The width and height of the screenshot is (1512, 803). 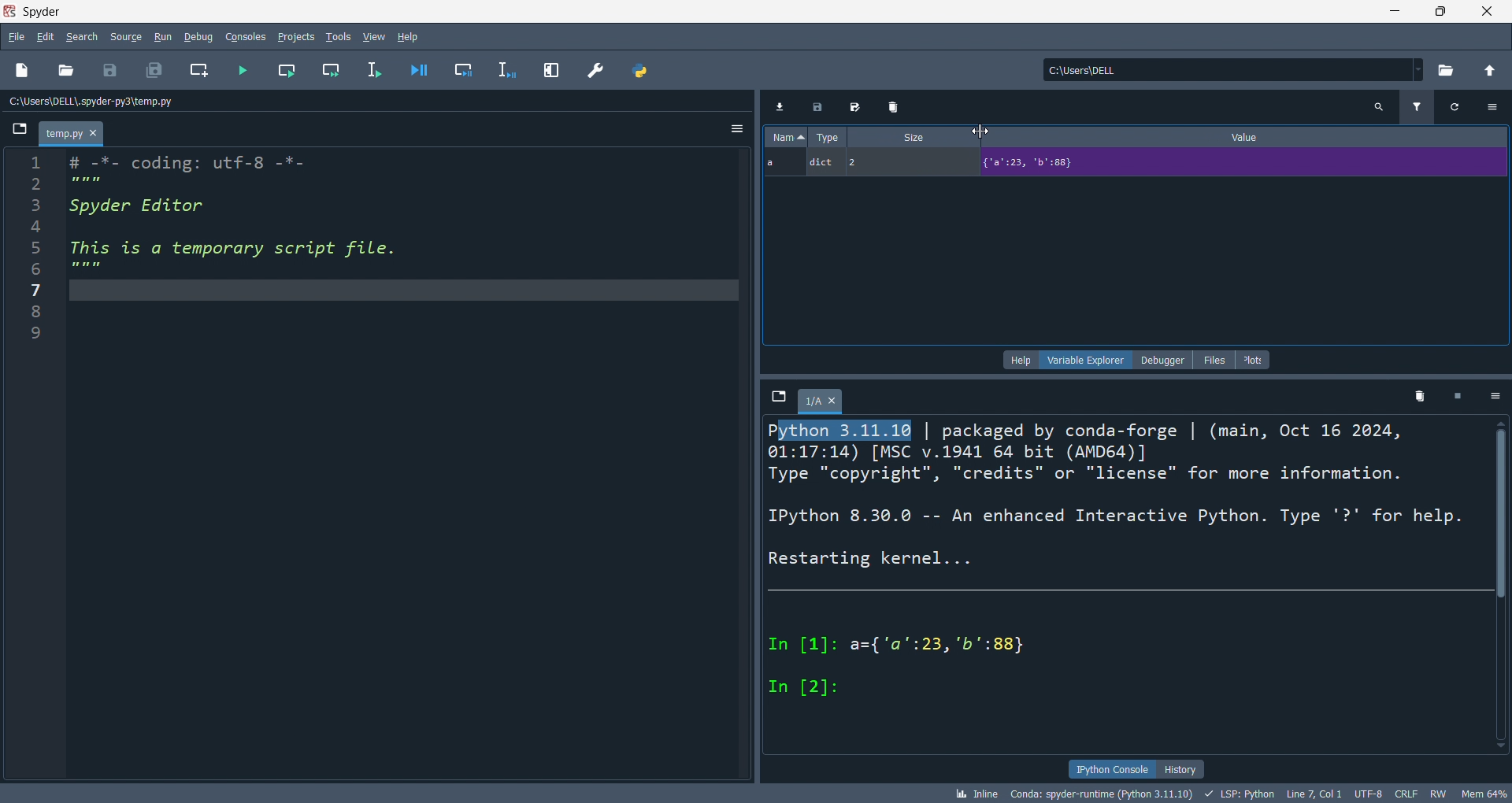 I want to click on import data, so click(x=778, y=105).